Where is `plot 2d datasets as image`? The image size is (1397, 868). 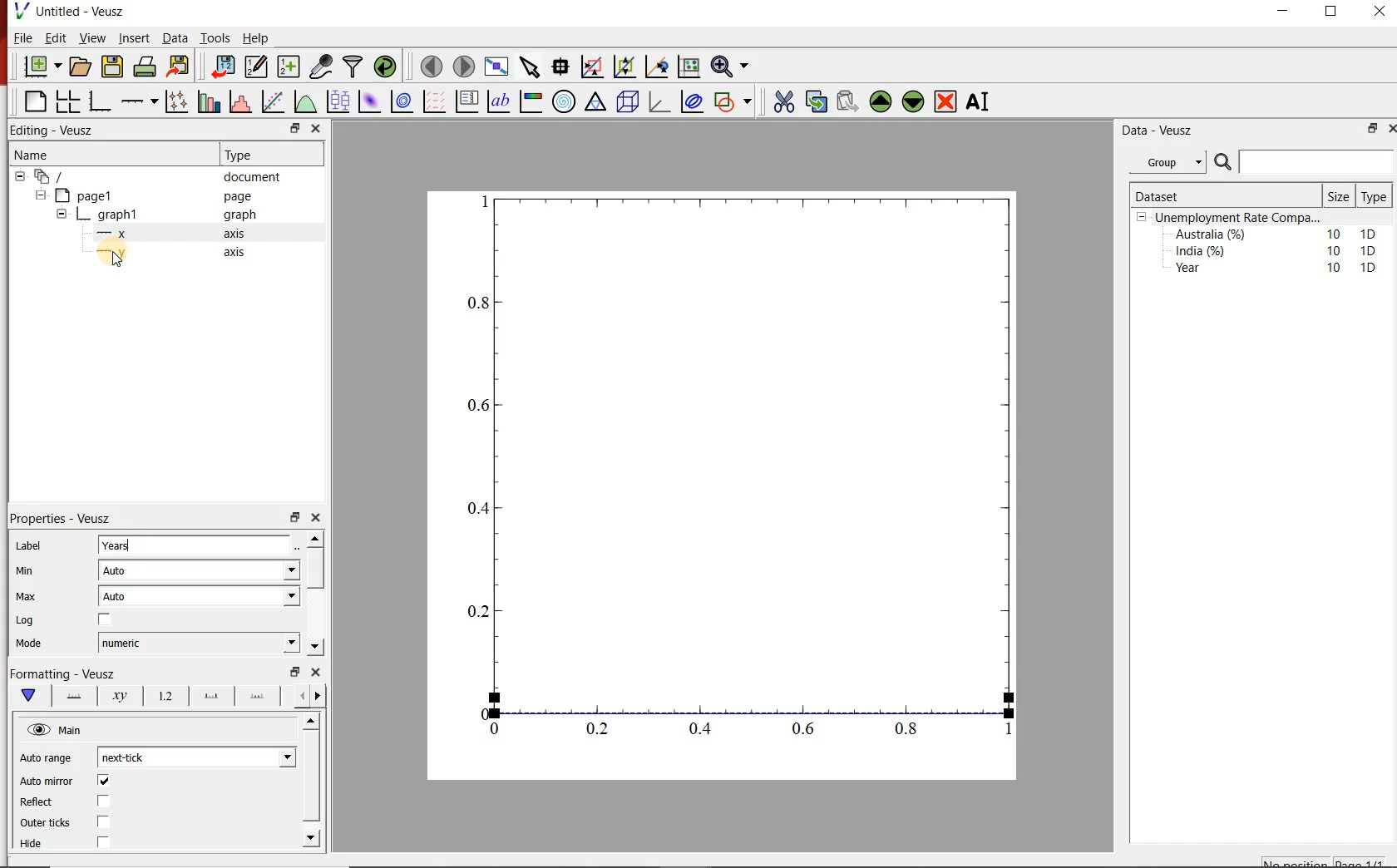 plot 2d datasets as image is located at coordinates (369, 101).